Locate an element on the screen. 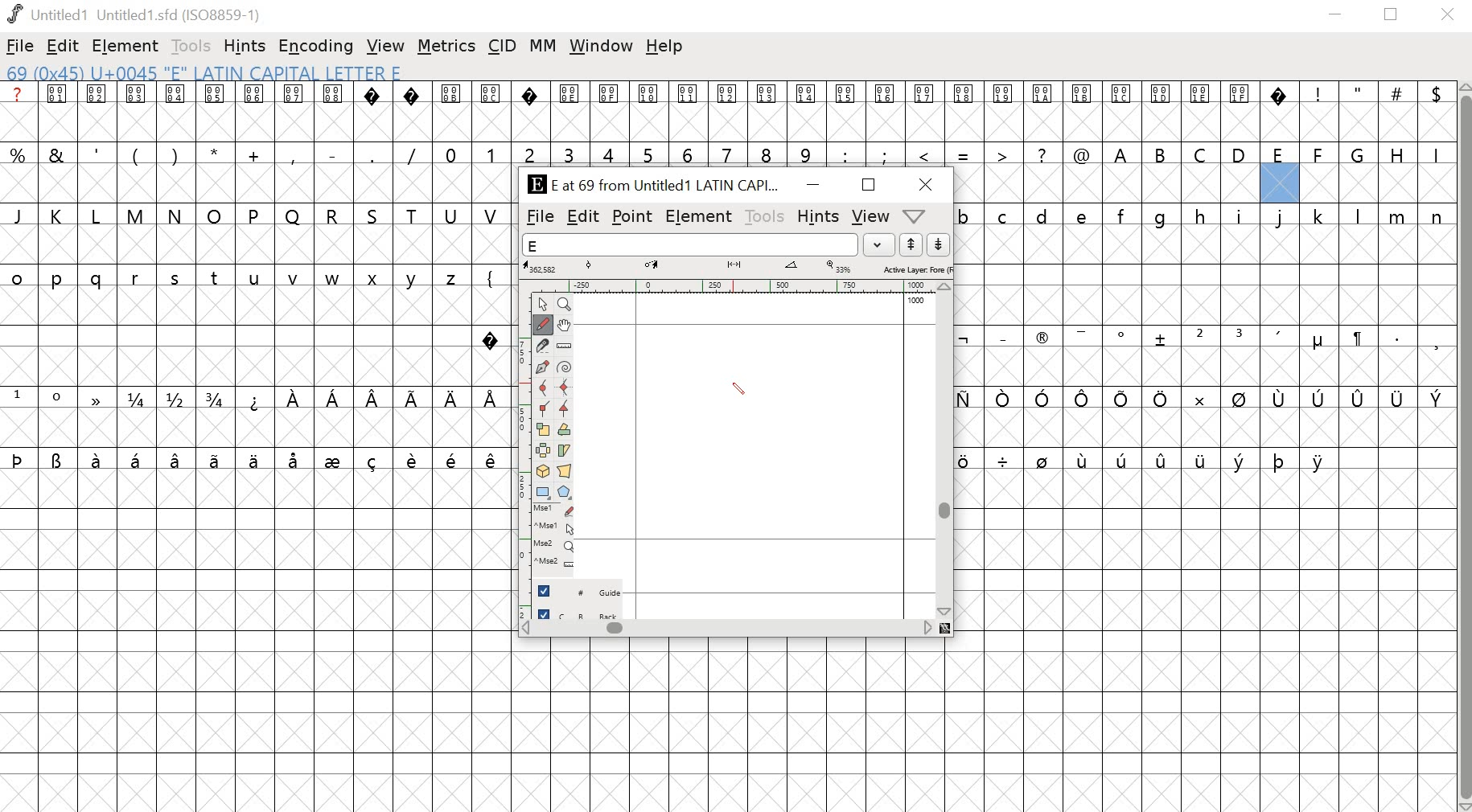  empty cells is located at coordinates (253, 244).